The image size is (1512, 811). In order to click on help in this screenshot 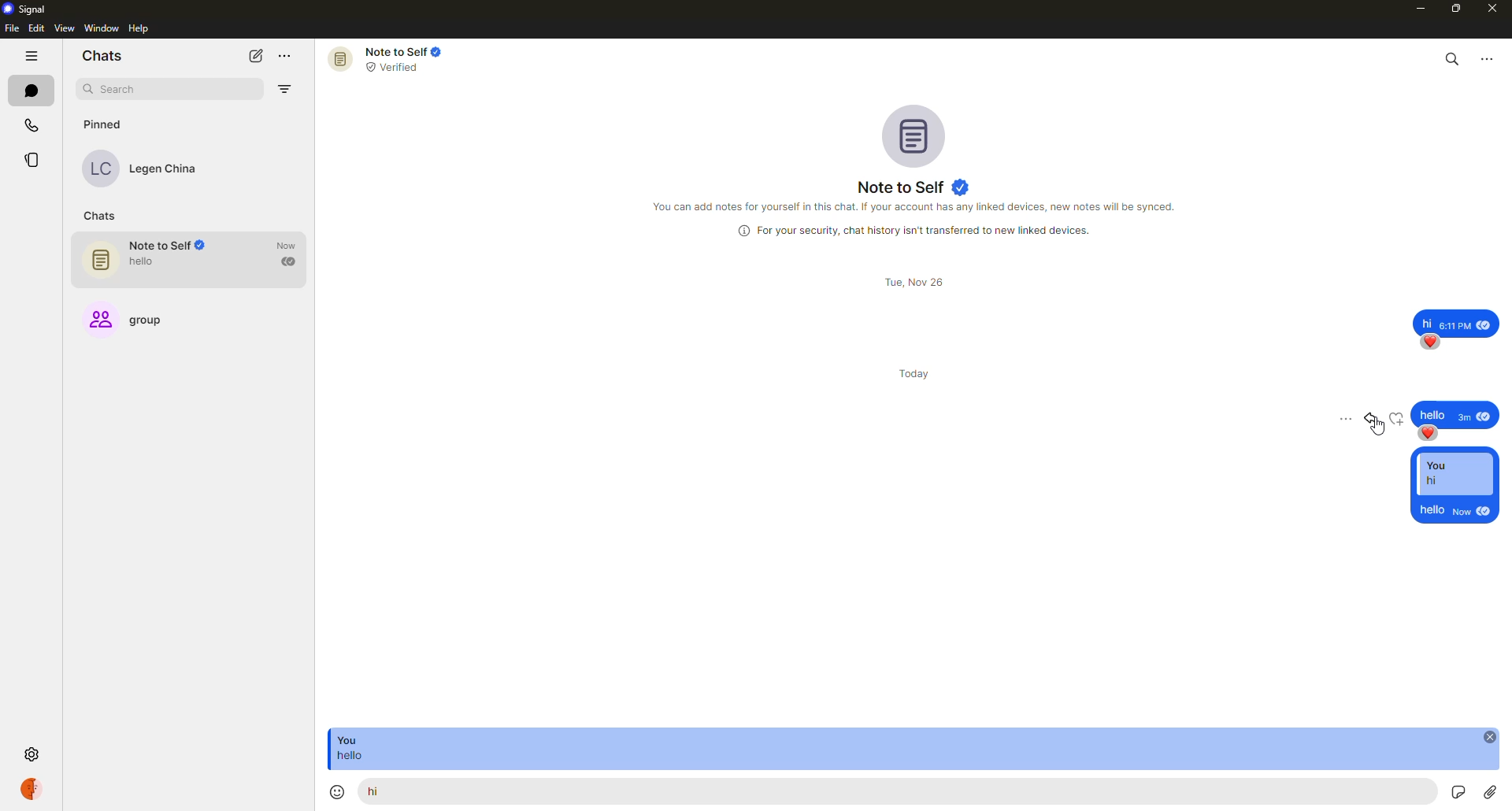, I will do `click(138, 29)`.